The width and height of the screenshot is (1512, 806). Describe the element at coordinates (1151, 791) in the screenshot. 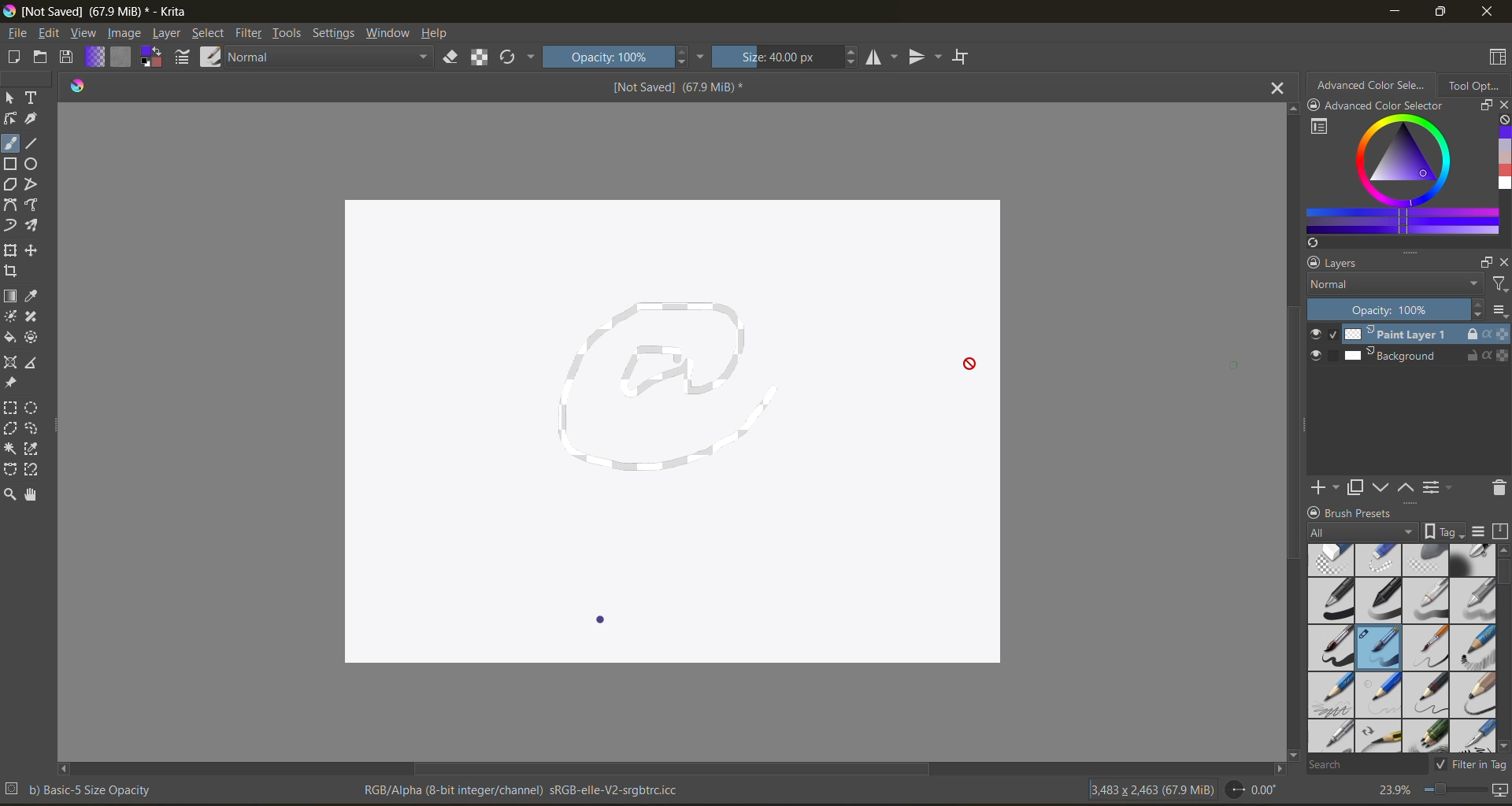

I see `image metadata` at that location.